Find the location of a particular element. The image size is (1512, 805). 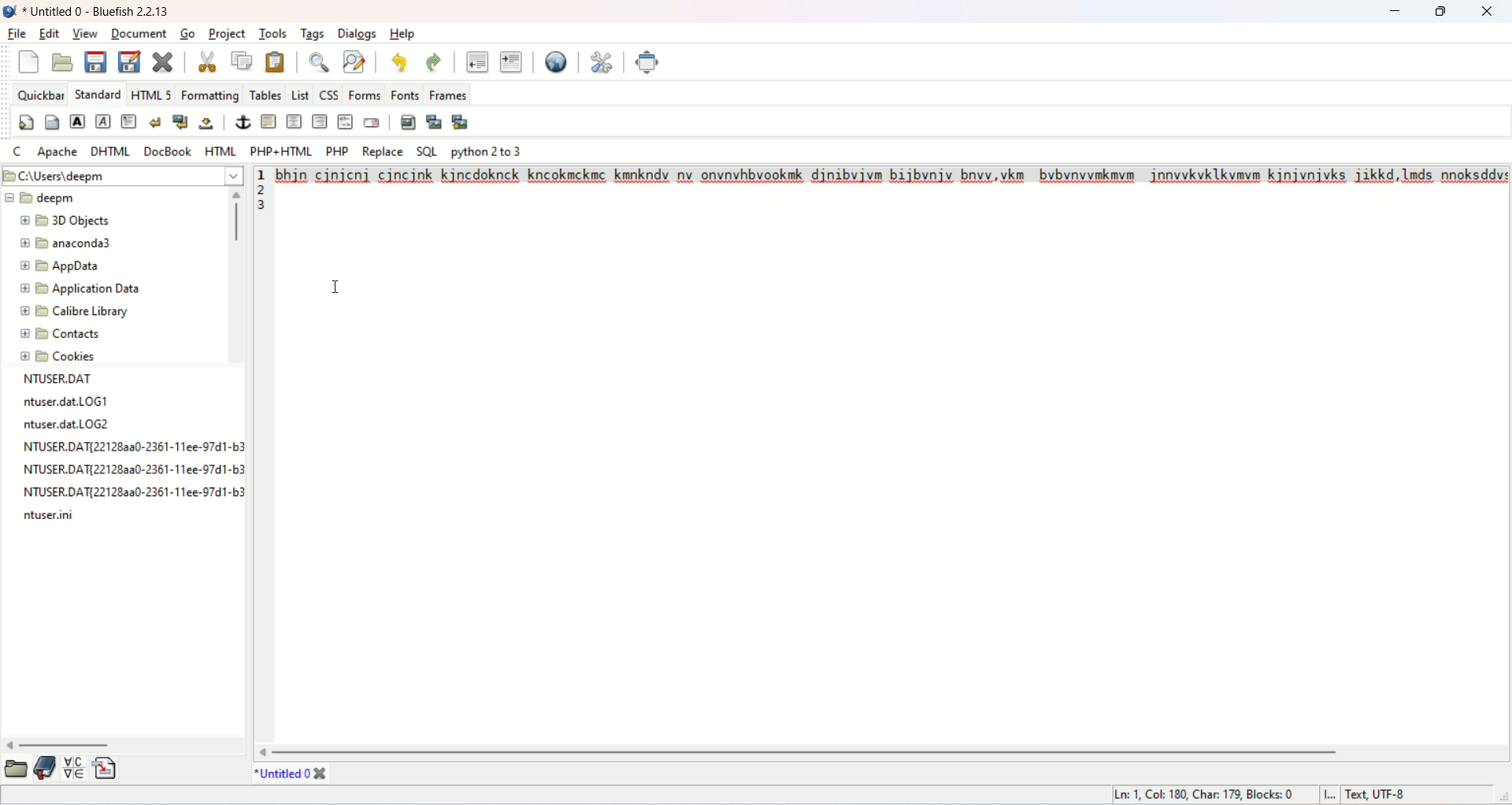

file is located at coordinates (20, 35).